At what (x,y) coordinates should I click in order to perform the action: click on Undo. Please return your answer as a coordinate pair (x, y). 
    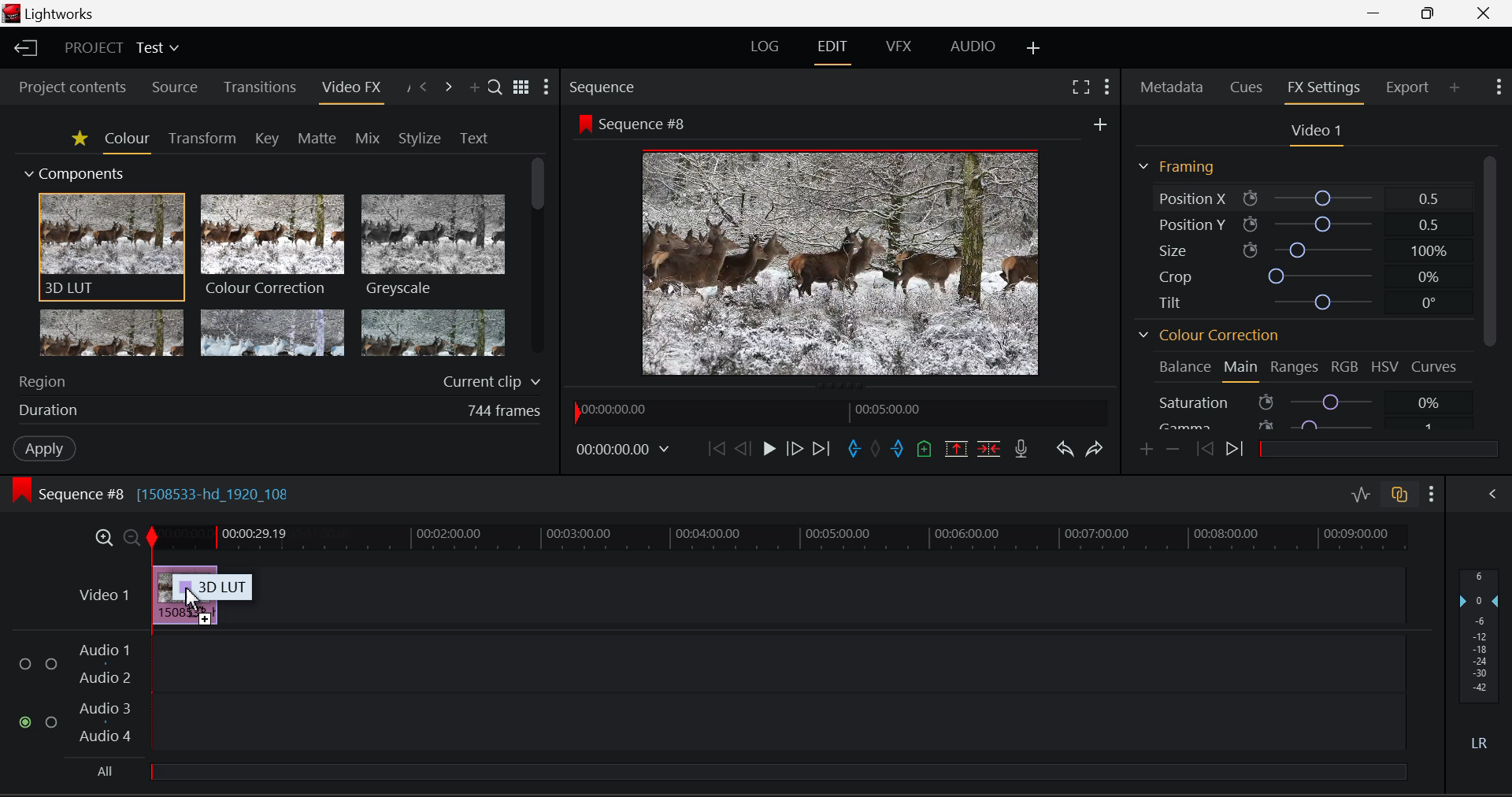
    Looking at the image, I should click on (1066, 451).